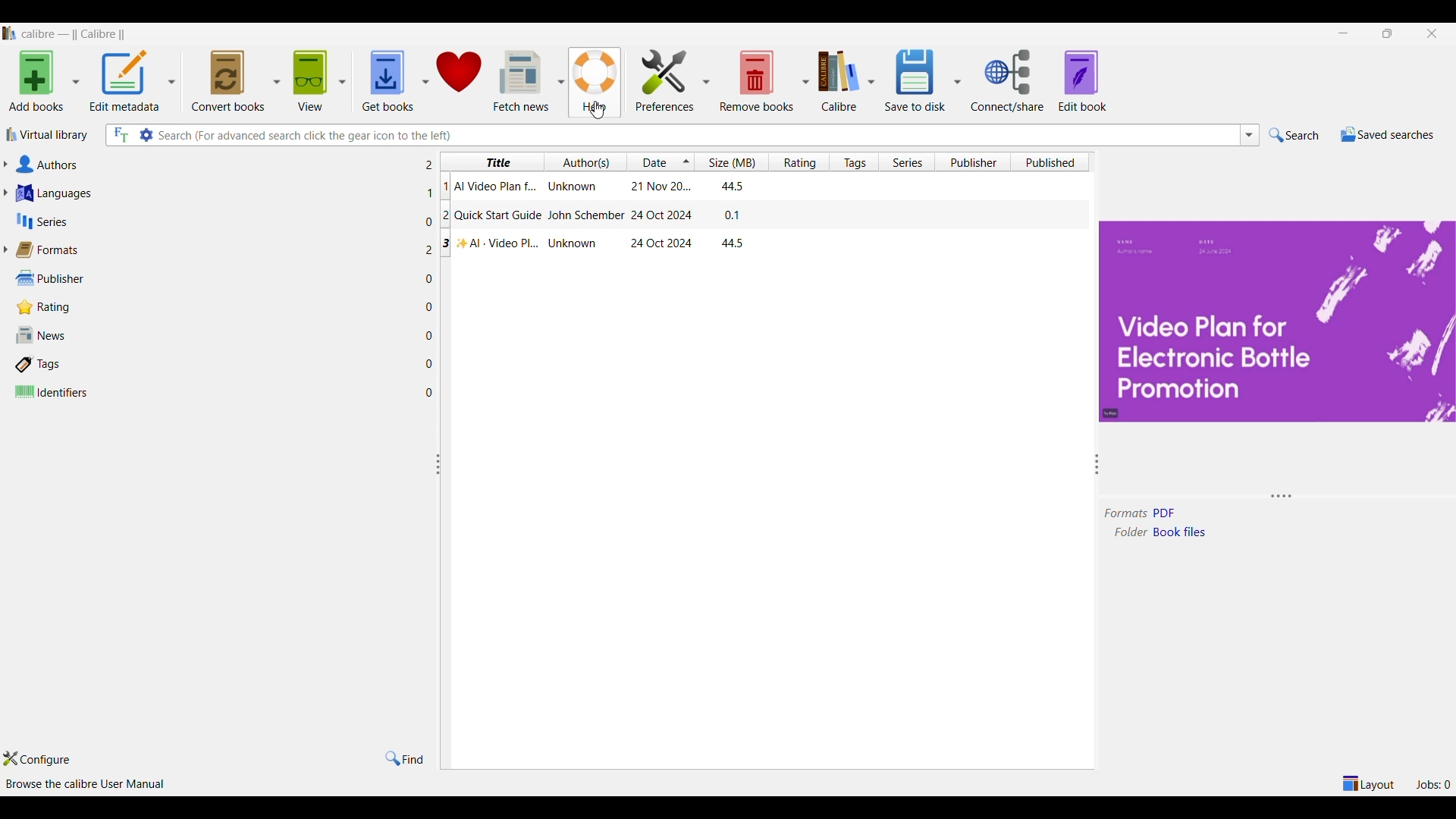 The height and width of the screenshot is (819, 1456). I want to click on Search list, so click(1250, 135).